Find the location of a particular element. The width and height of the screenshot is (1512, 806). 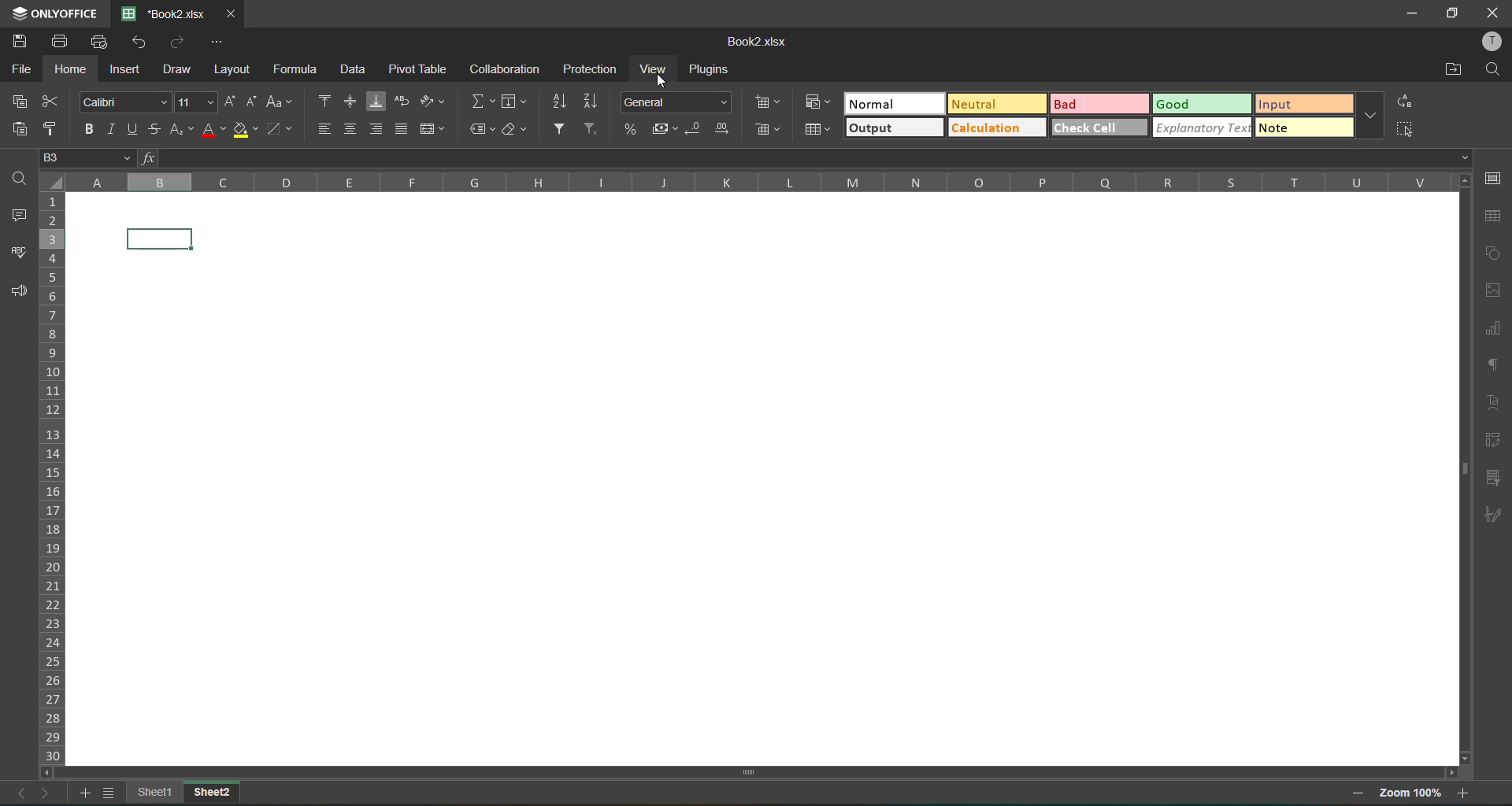

sort descending is located at coordinates (592, 102).